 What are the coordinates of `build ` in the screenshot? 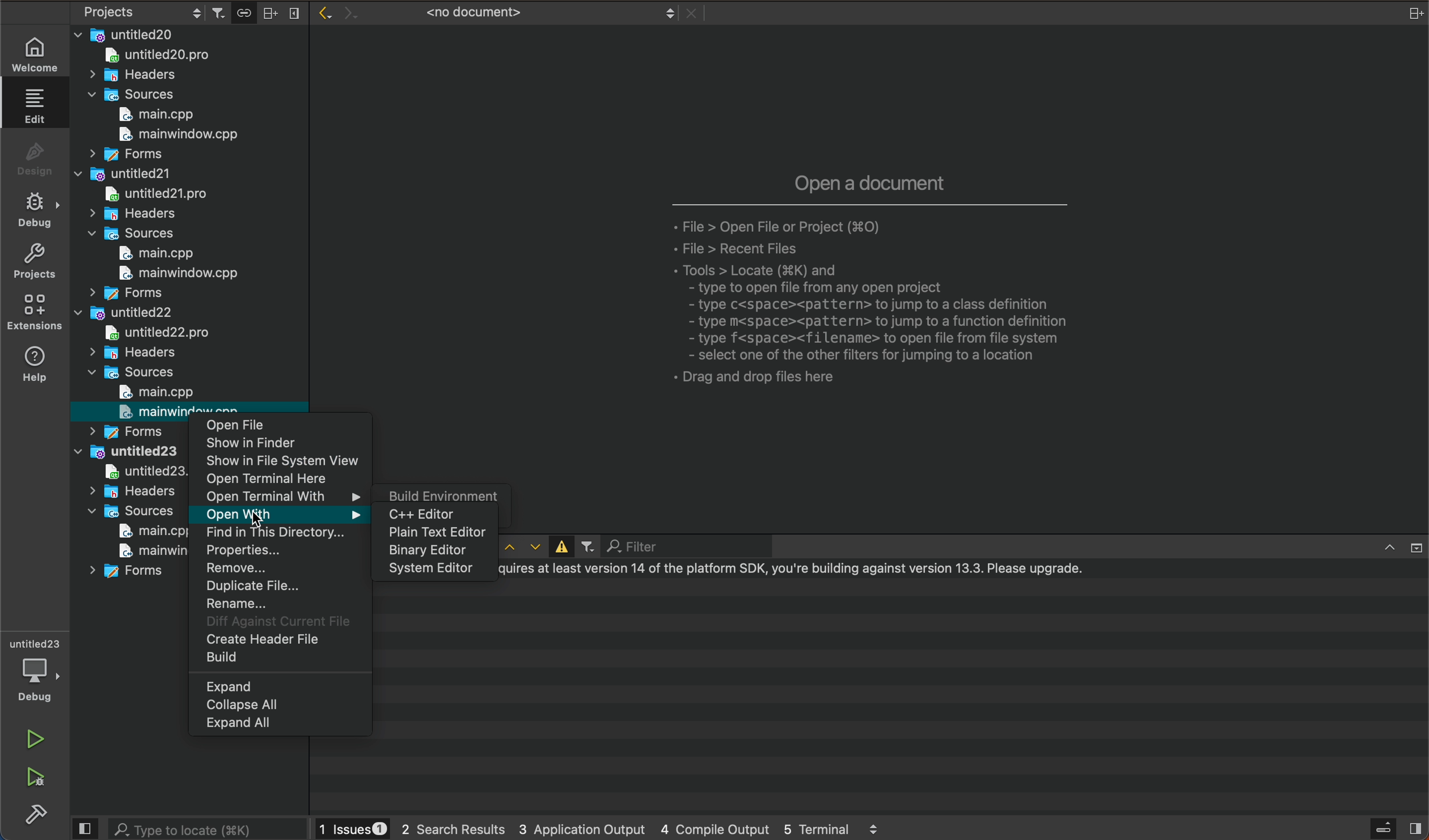 It's located at (33, 813).